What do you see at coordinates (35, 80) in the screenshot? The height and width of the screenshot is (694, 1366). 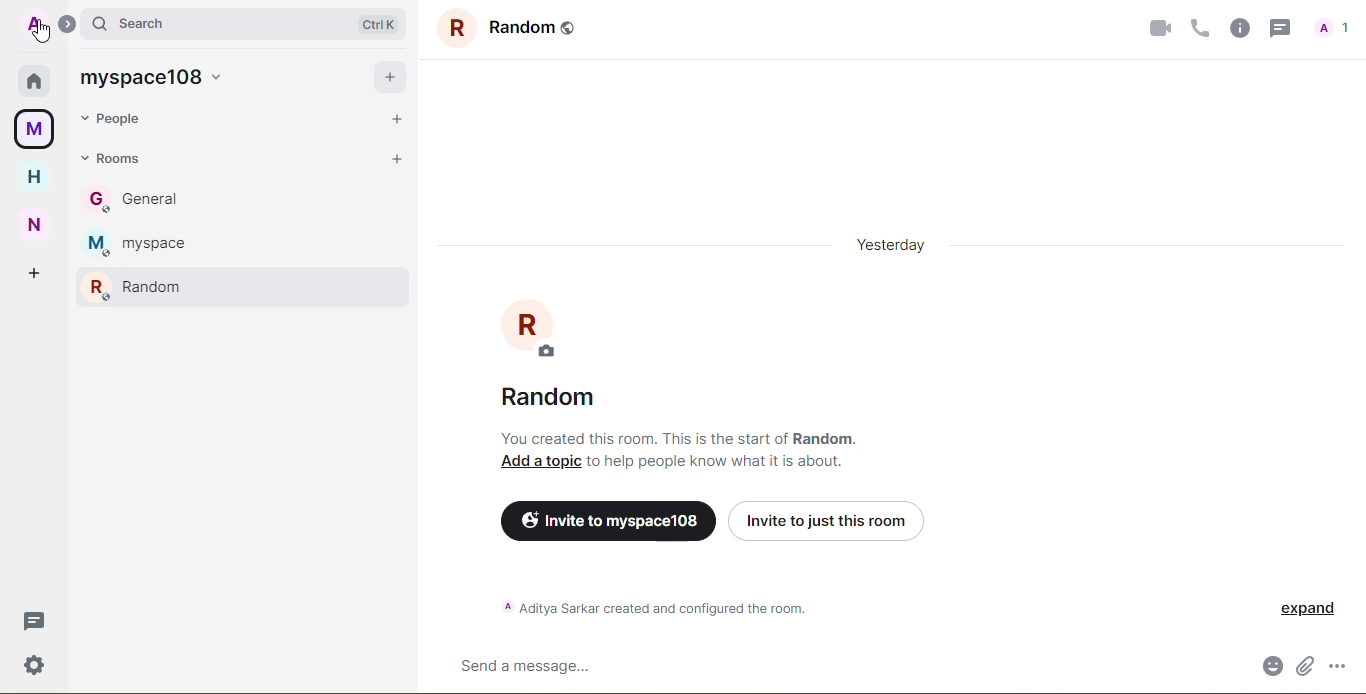 I see `home` at bounding box center [35, 80].